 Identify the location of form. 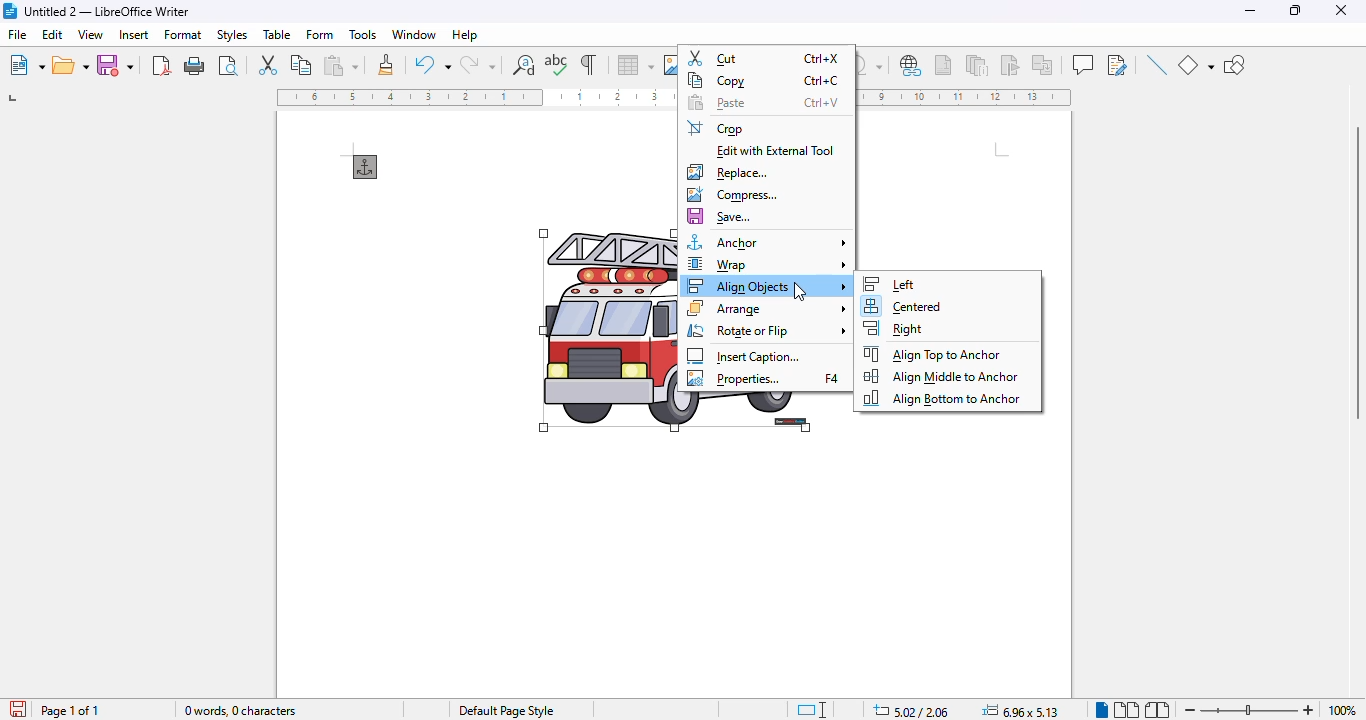
(321, 34).